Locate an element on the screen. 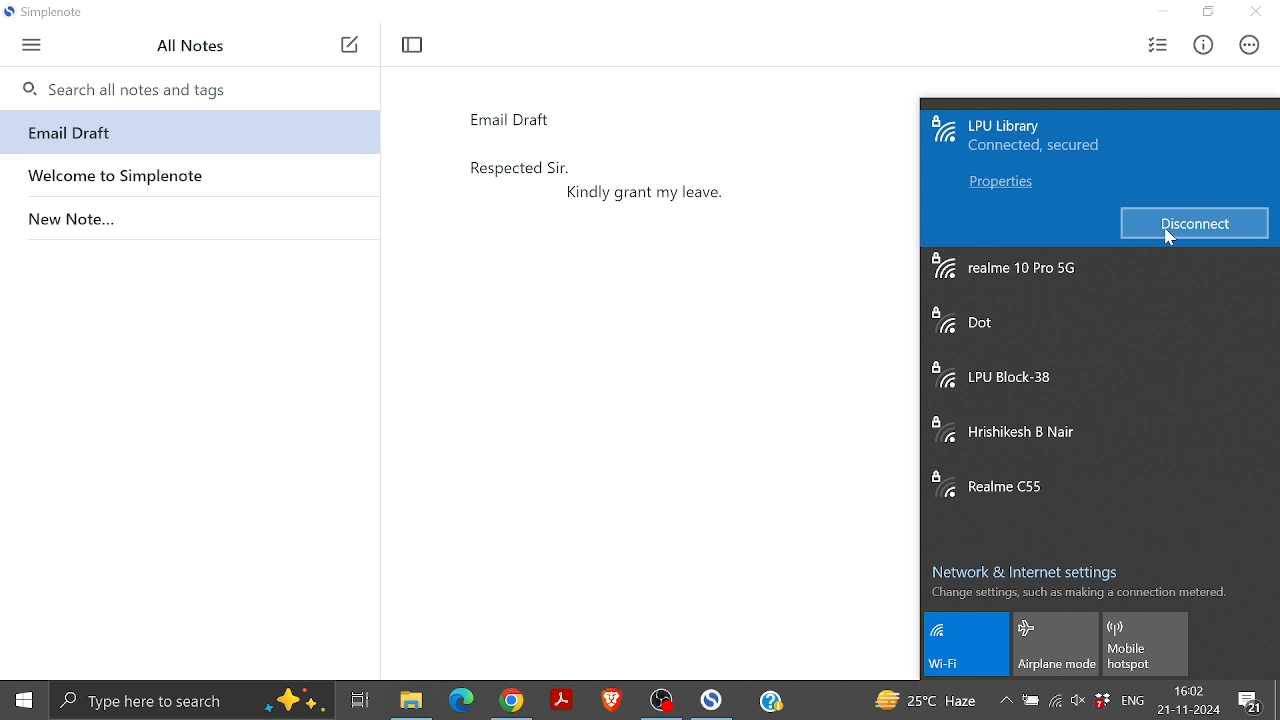 The image size is (1280, 720). Task view is located at coordinates (359, 698).